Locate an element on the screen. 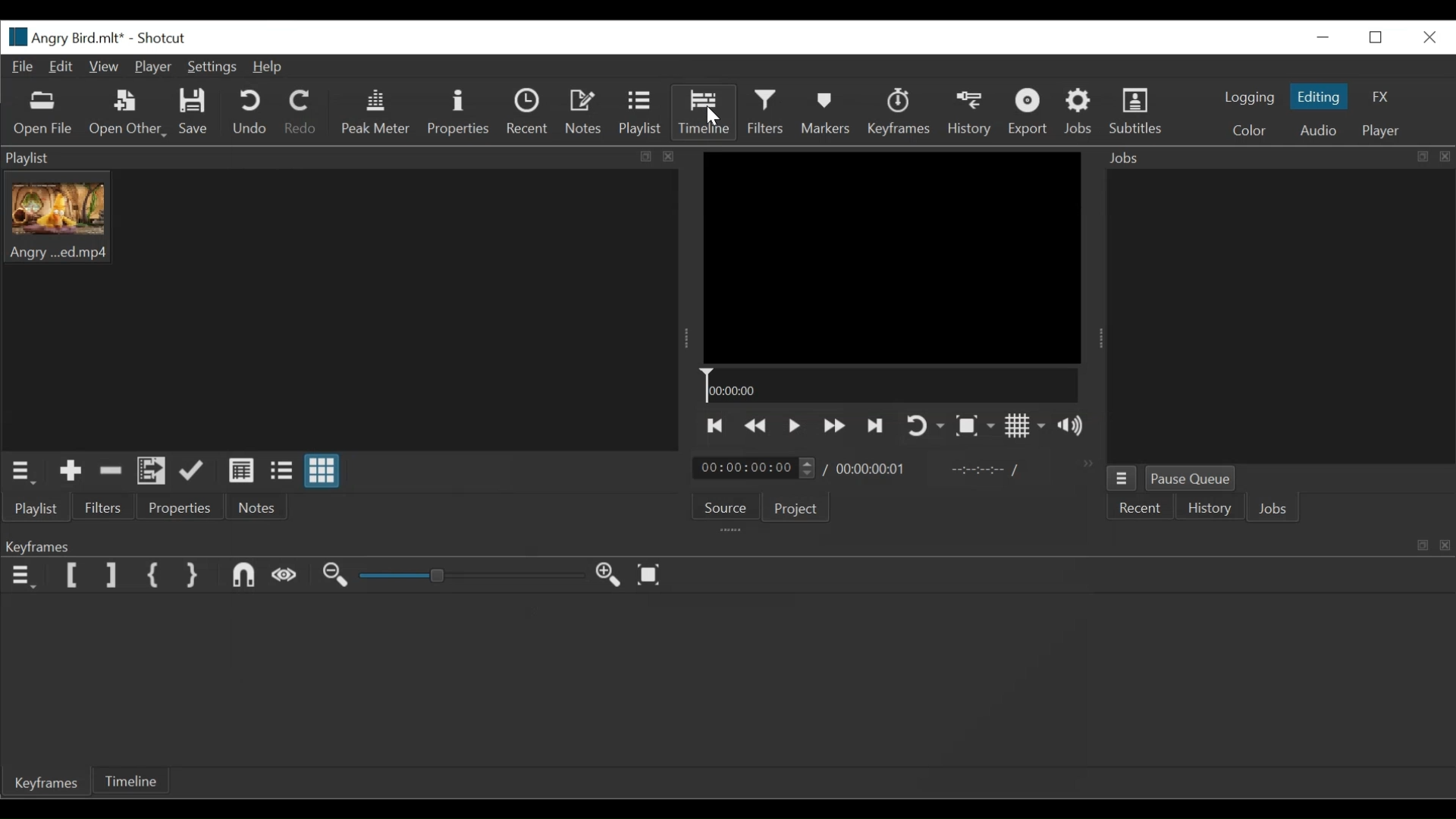  Shotcut is located at coordinates (161, 38).